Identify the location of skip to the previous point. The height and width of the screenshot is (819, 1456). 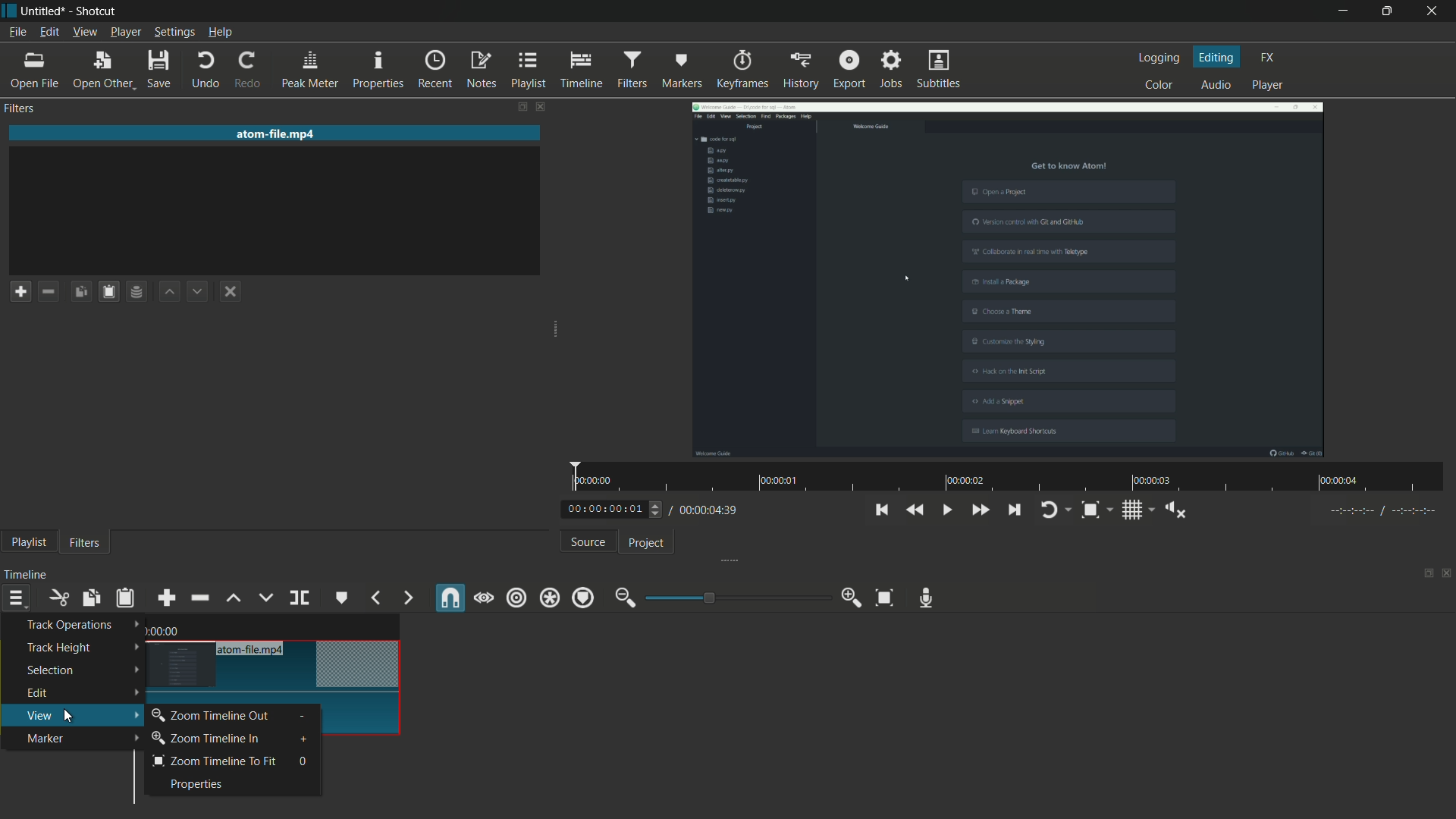
(880, 510).